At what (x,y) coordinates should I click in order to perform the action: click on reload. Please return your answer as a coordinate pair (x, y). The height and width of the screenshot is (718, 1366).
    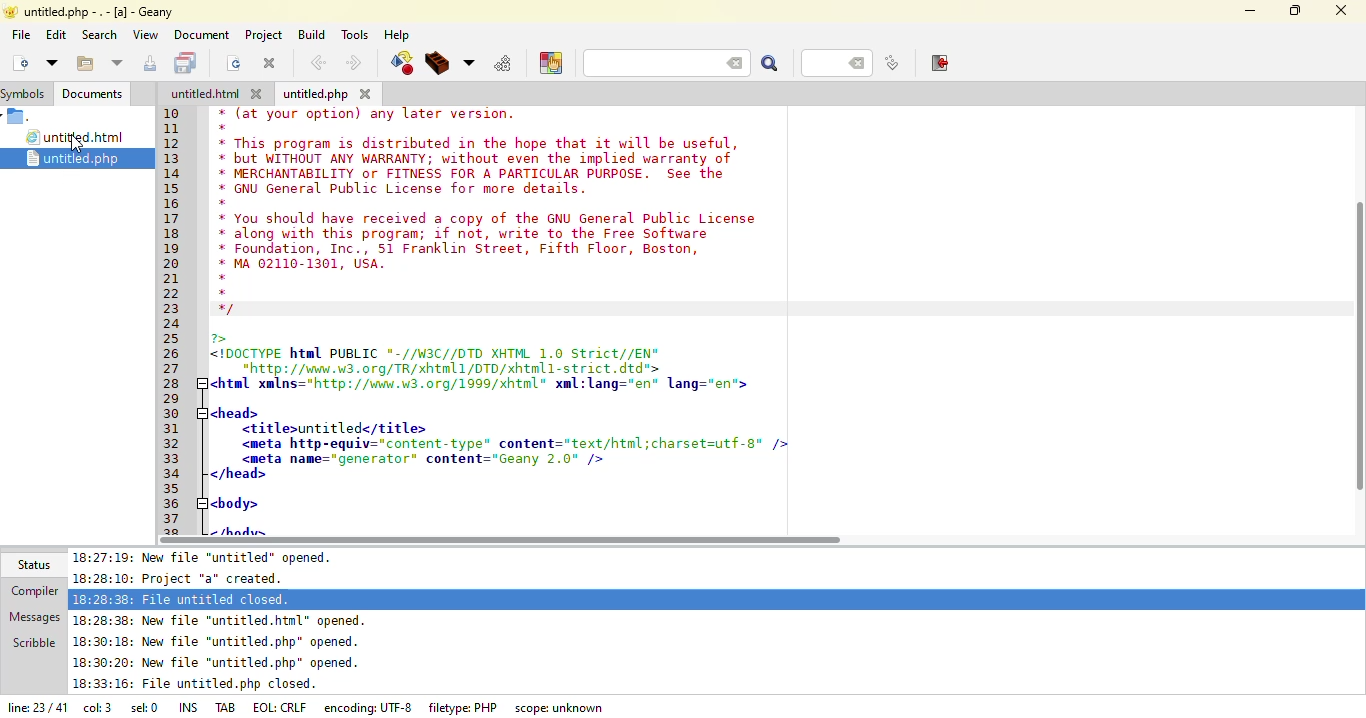
    Looking at the image, I should click on (236, 65).